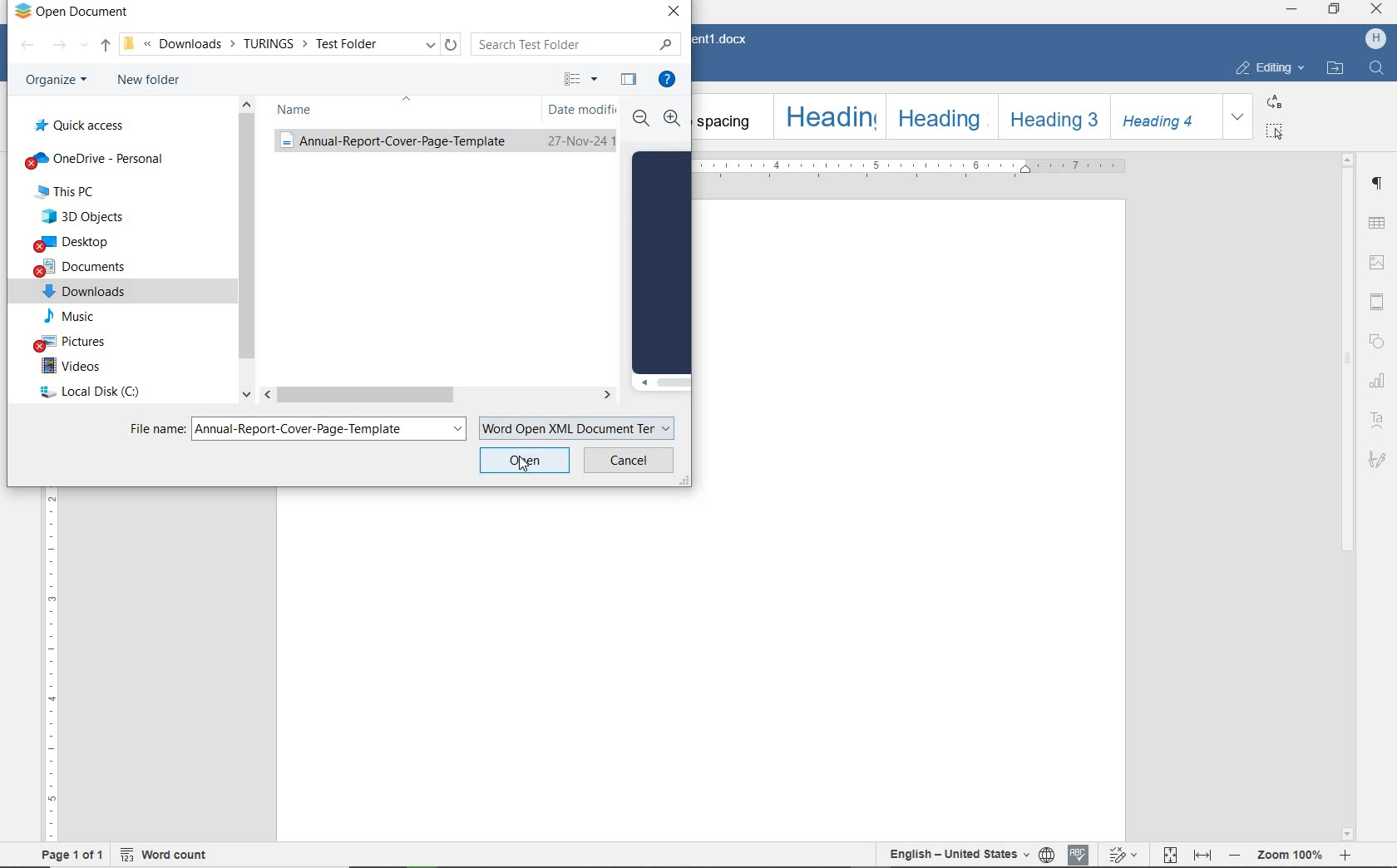  Describe the element at coordinates (827, 116) in the screenshot. I see `heading 1` at that location.